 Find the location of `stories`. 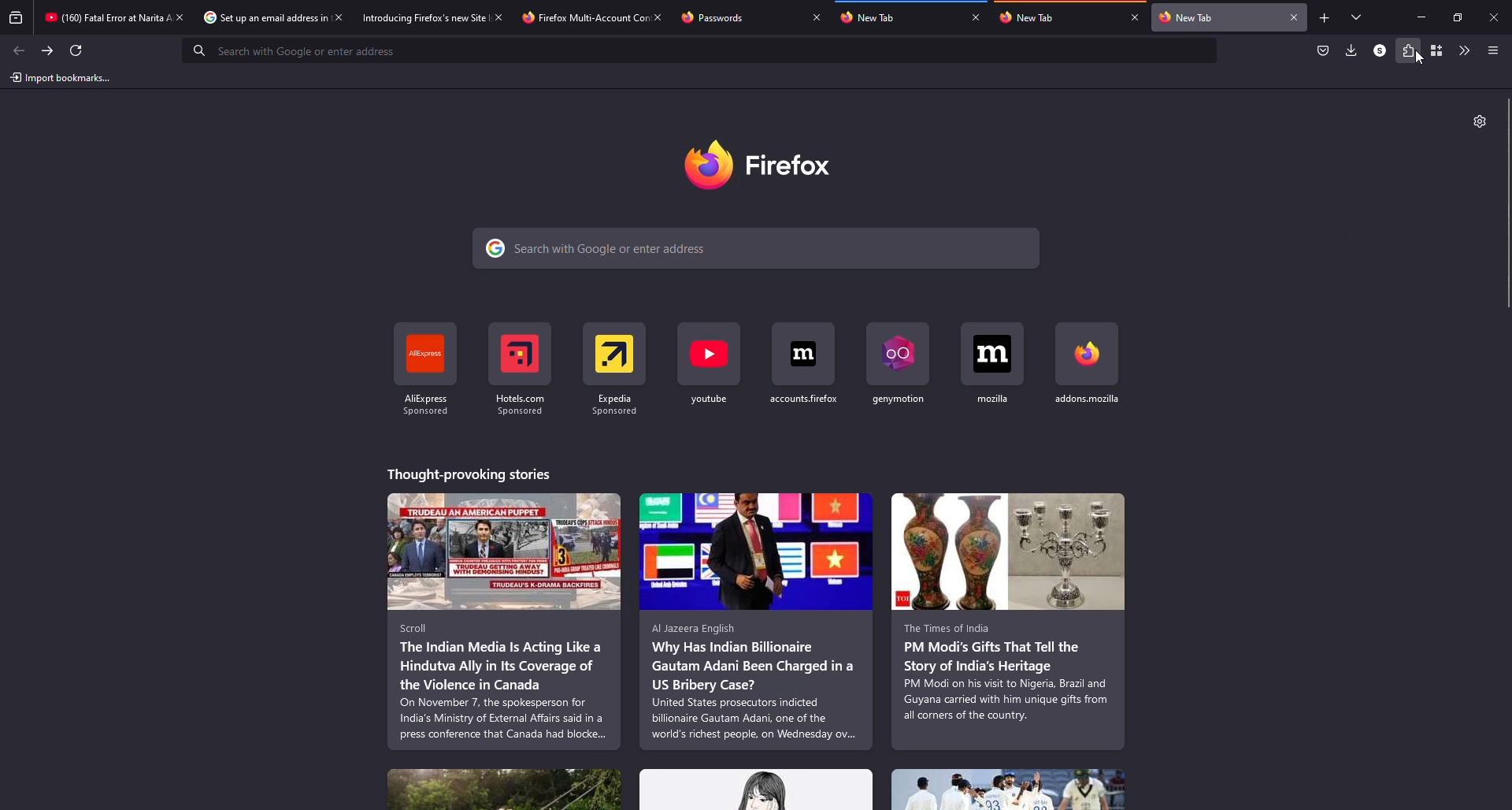

stories is located at coordinates (754, 621).